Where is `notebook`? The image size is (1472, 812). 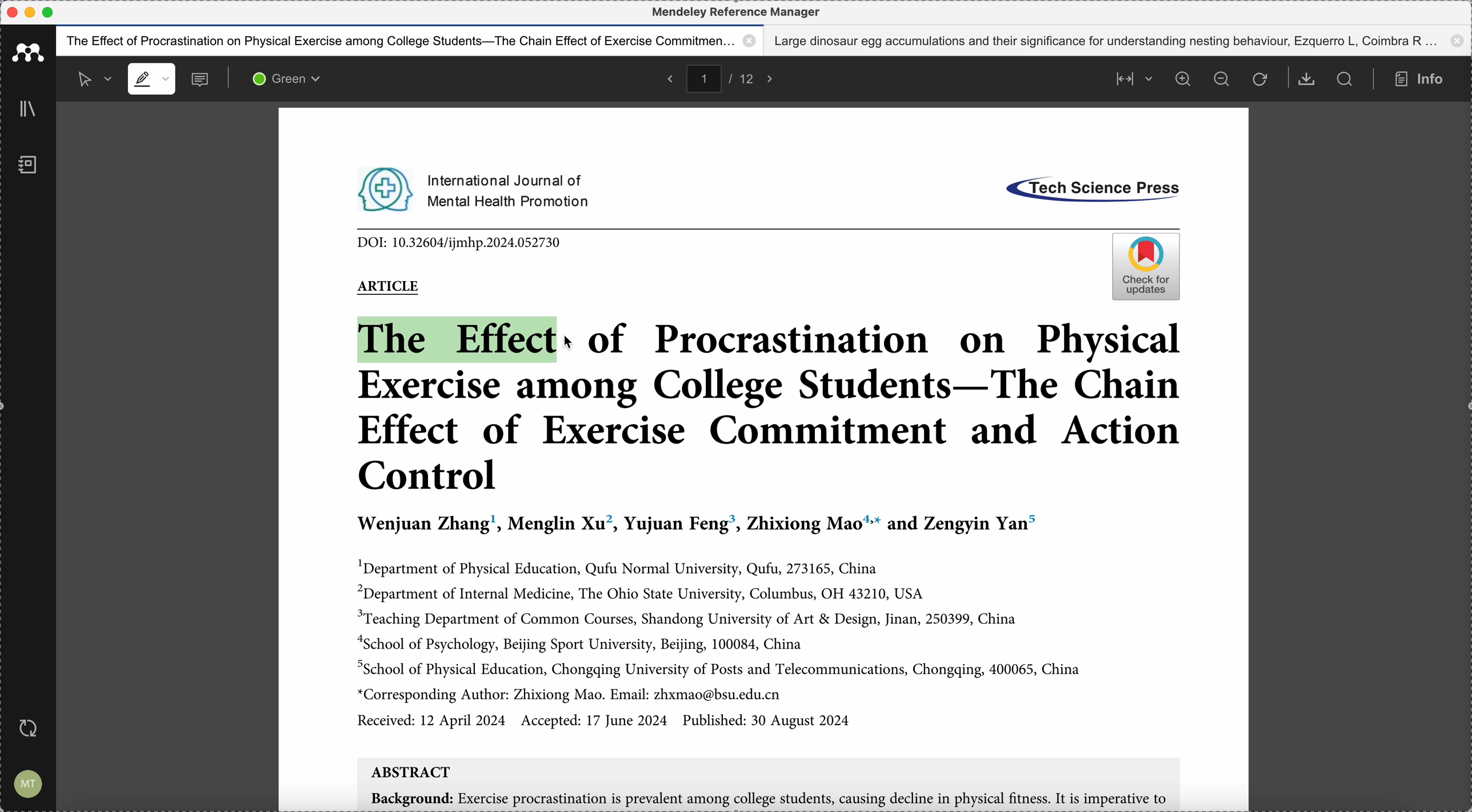 notebook is located at coordinates (27, 167).